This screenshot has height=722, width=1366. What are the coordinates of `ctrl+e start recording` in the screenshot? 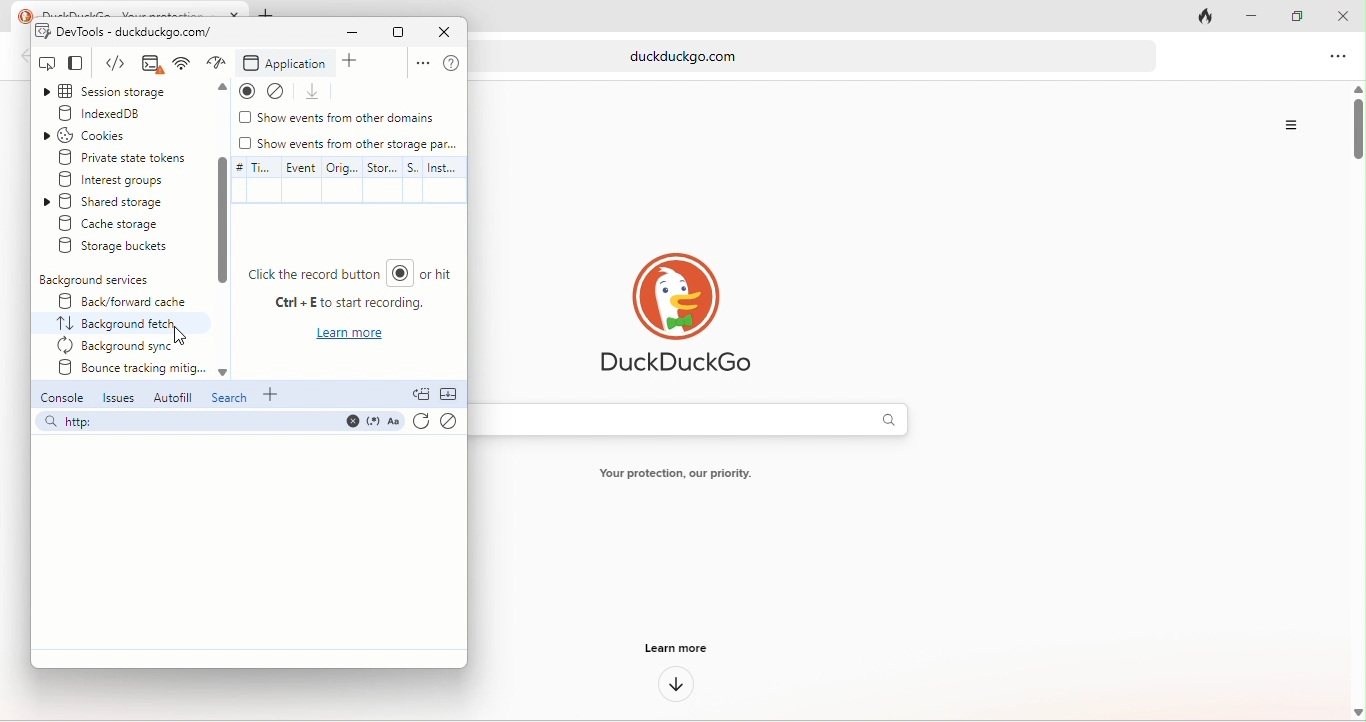 It's located at (343, 307).